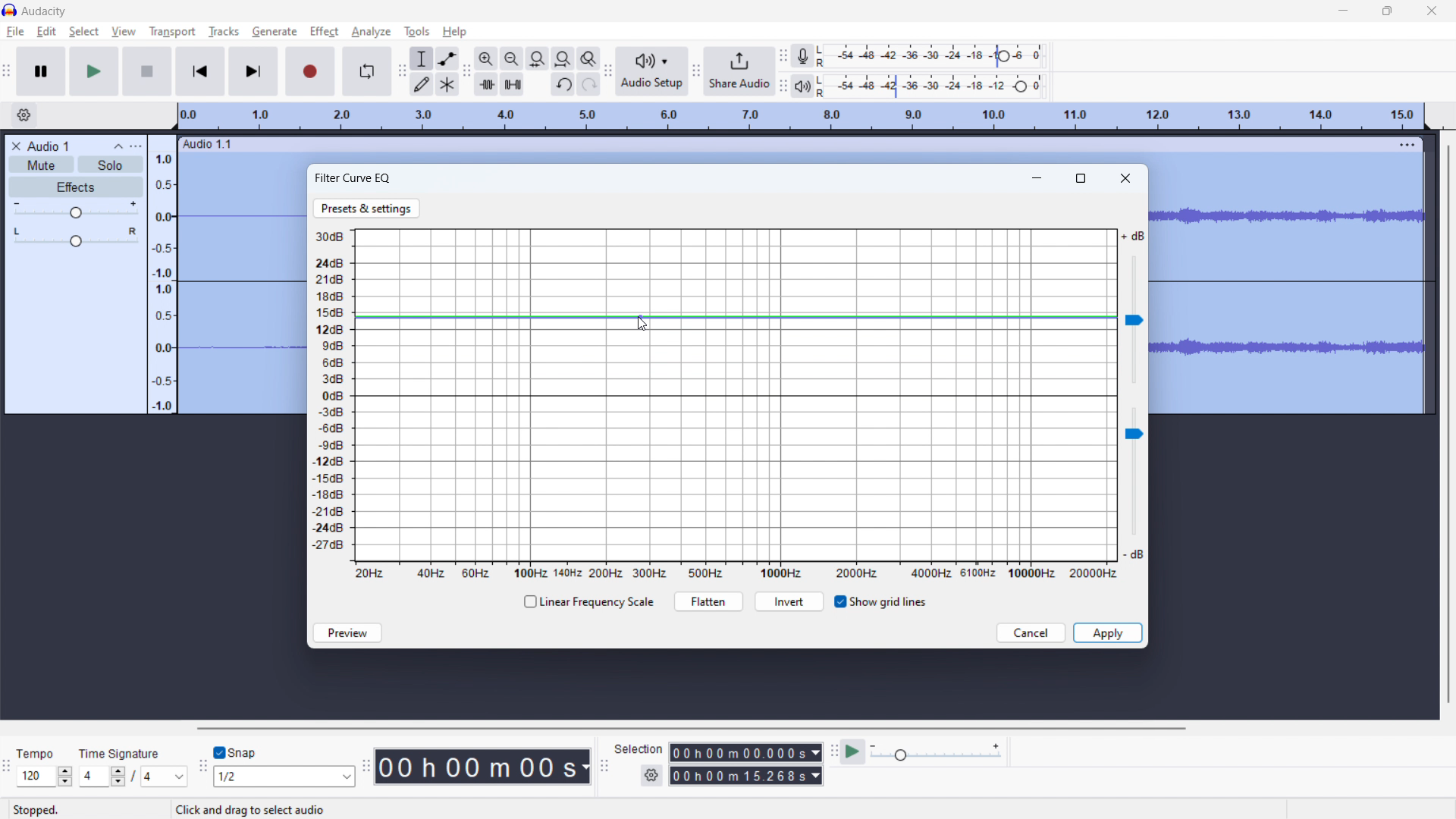  I want to click on fit project to width, so click(563, 58).